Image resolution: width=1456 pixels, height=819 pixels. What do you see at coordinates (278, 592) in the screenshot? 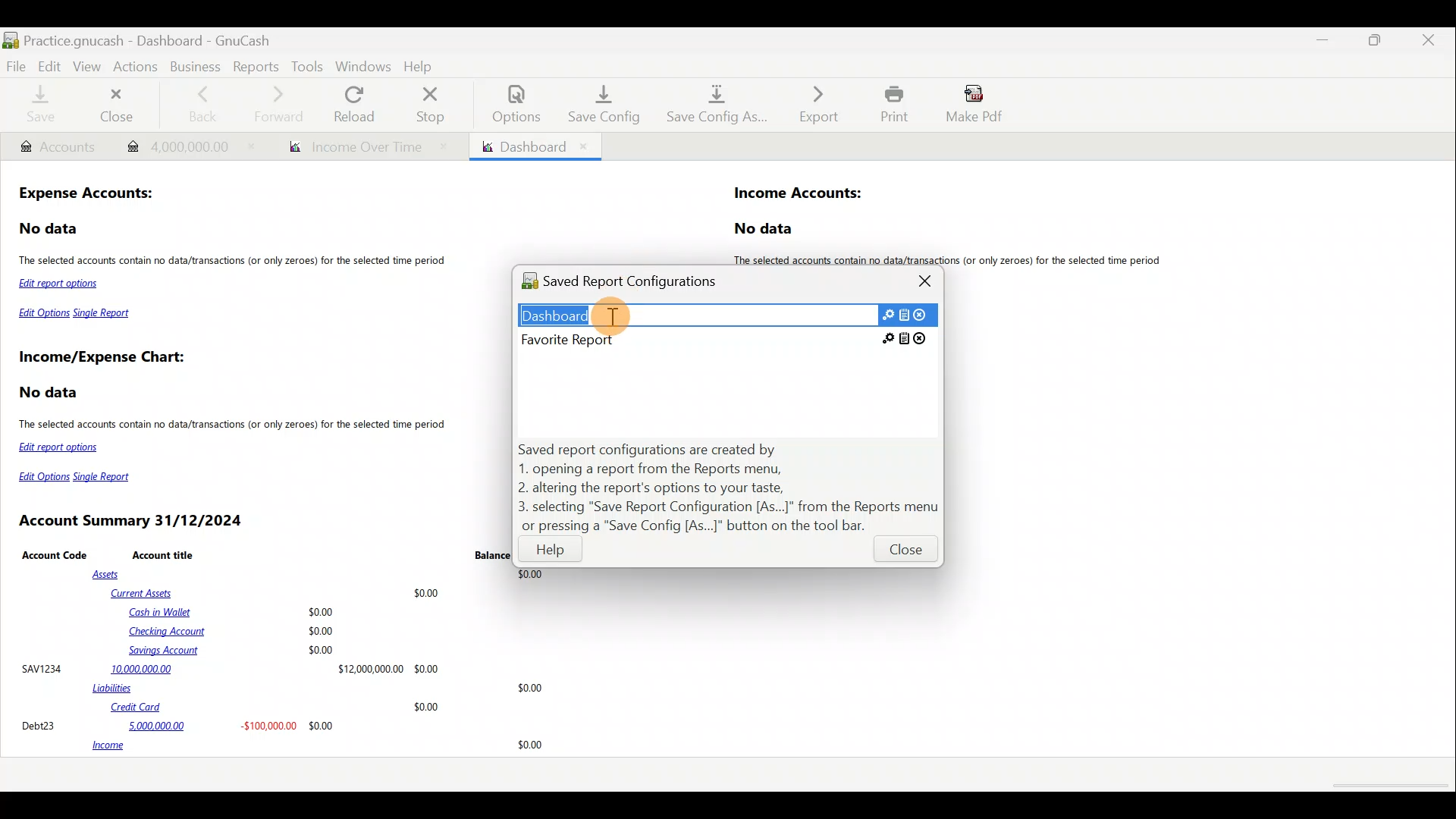
I see `Current Assets $0.00` at bounding box center [278, 592].